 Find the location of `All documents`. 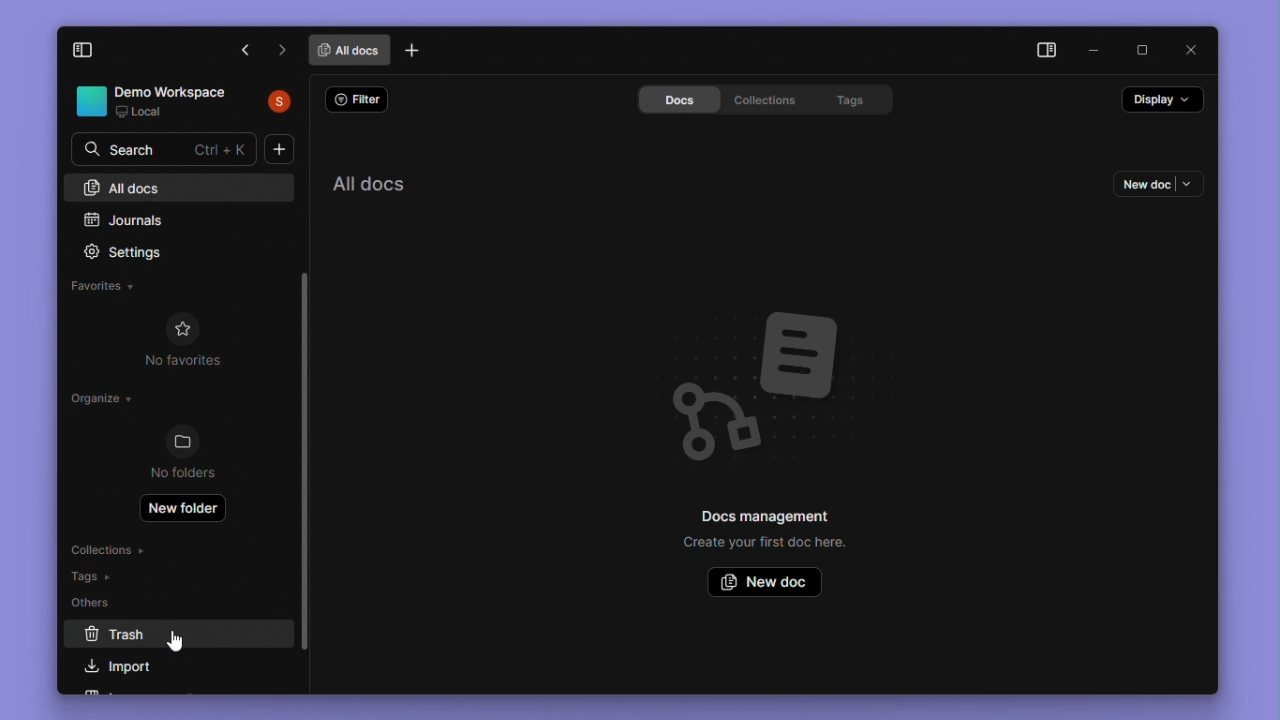

All documents is located at coordinates (370, 184).